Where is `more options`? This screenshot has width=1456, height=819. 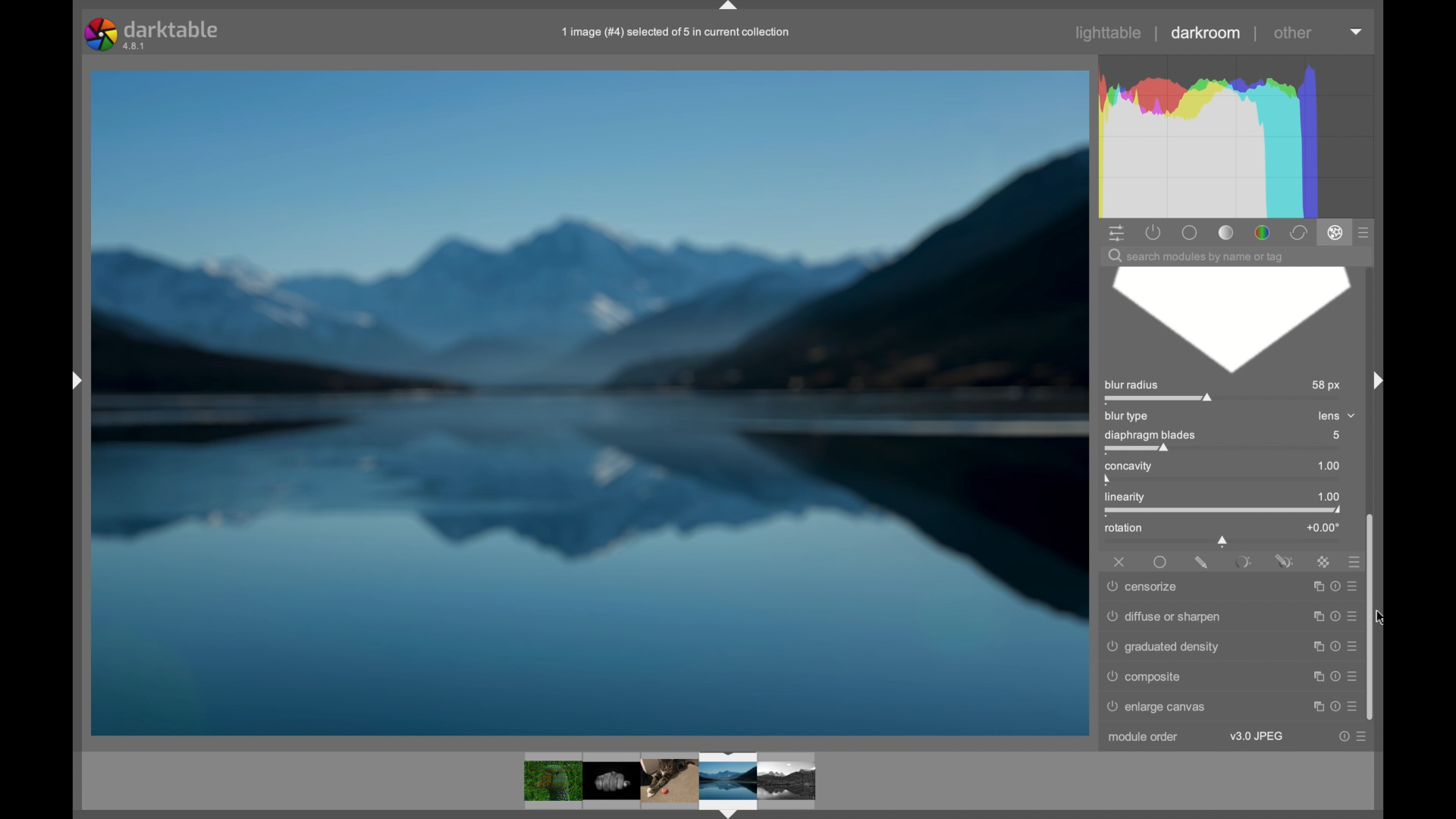
more options is located at coordinates (1354, 675).